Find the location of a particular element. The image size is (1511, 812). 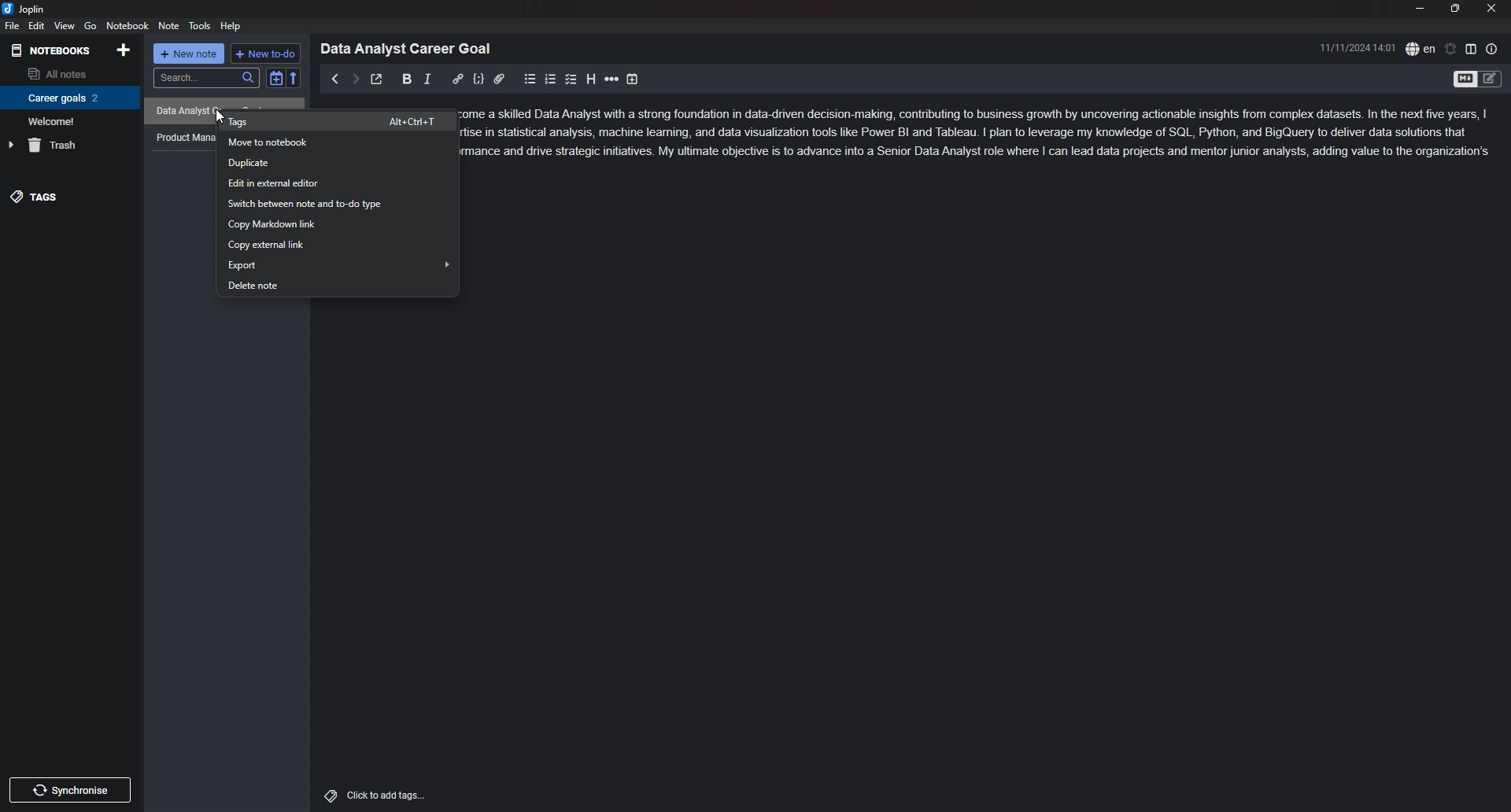

tools is located at coordinates (200, 26).